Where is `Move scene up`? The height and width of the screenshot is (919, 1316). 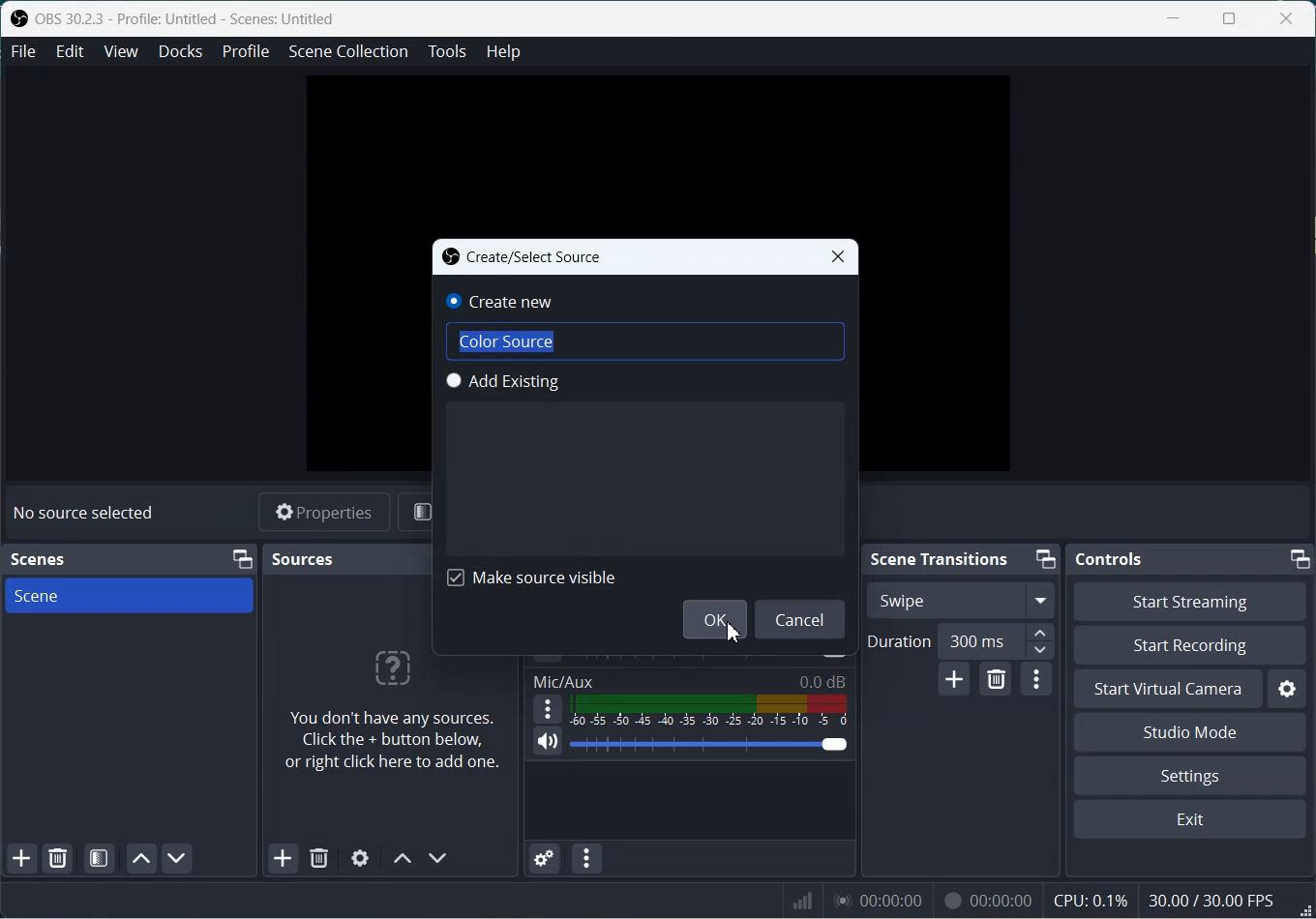
Move scene up is located at coordinates (140, 859).